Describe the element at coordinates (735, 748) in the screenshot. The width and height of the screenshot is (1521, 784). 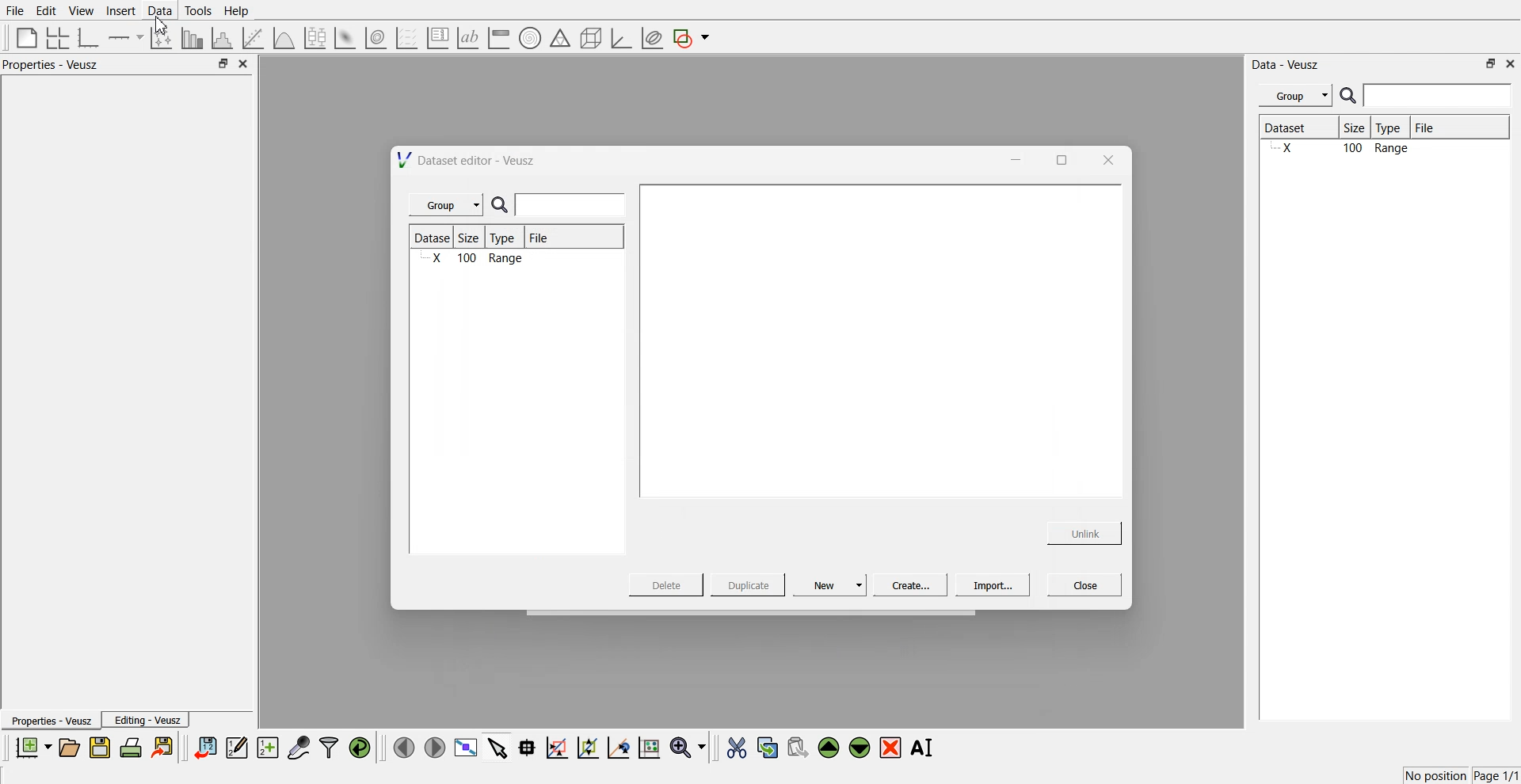
I see `cut the selected widgets` at that location.